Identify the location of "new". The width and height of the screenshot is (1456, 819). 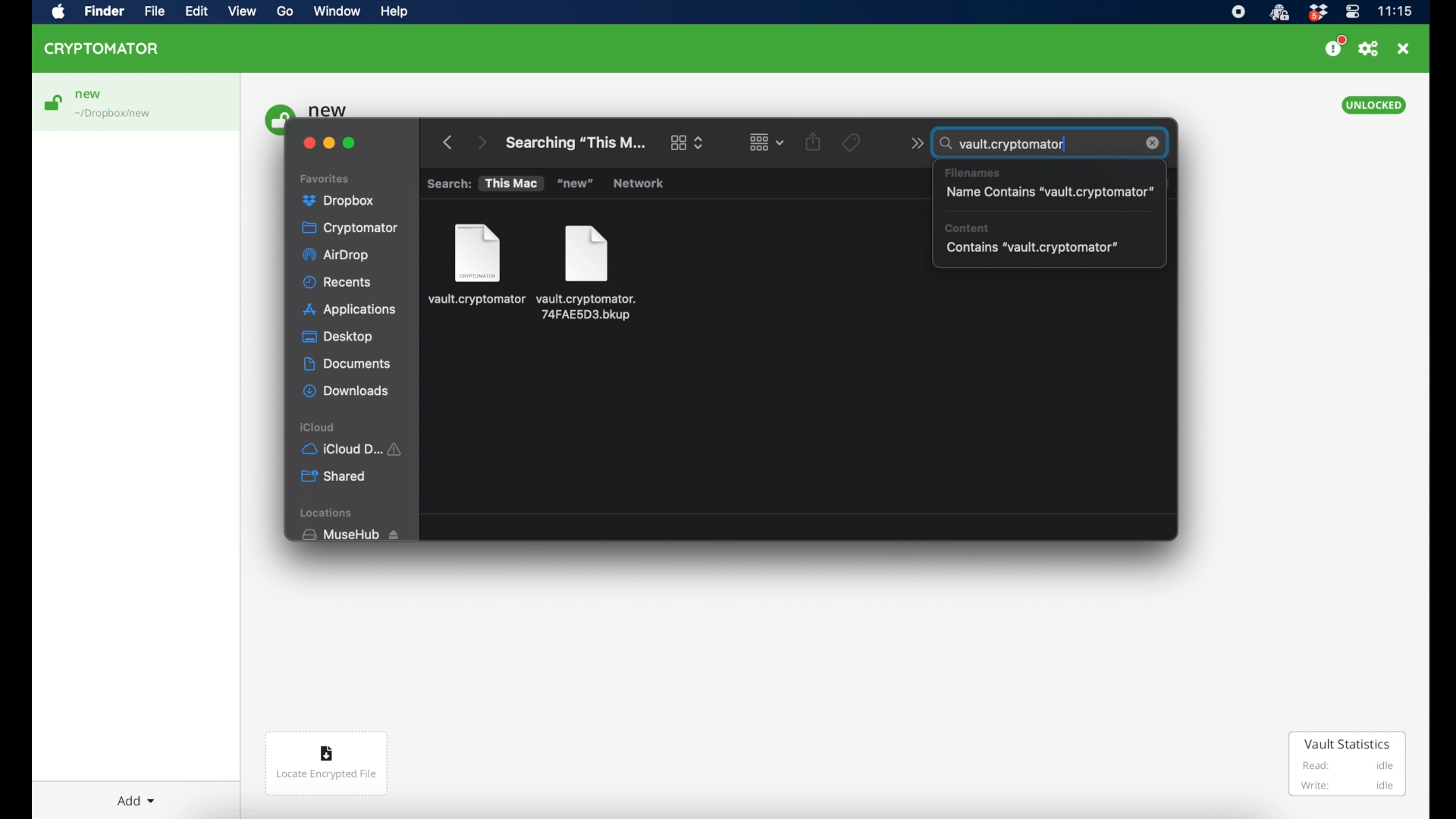
(574, 184).